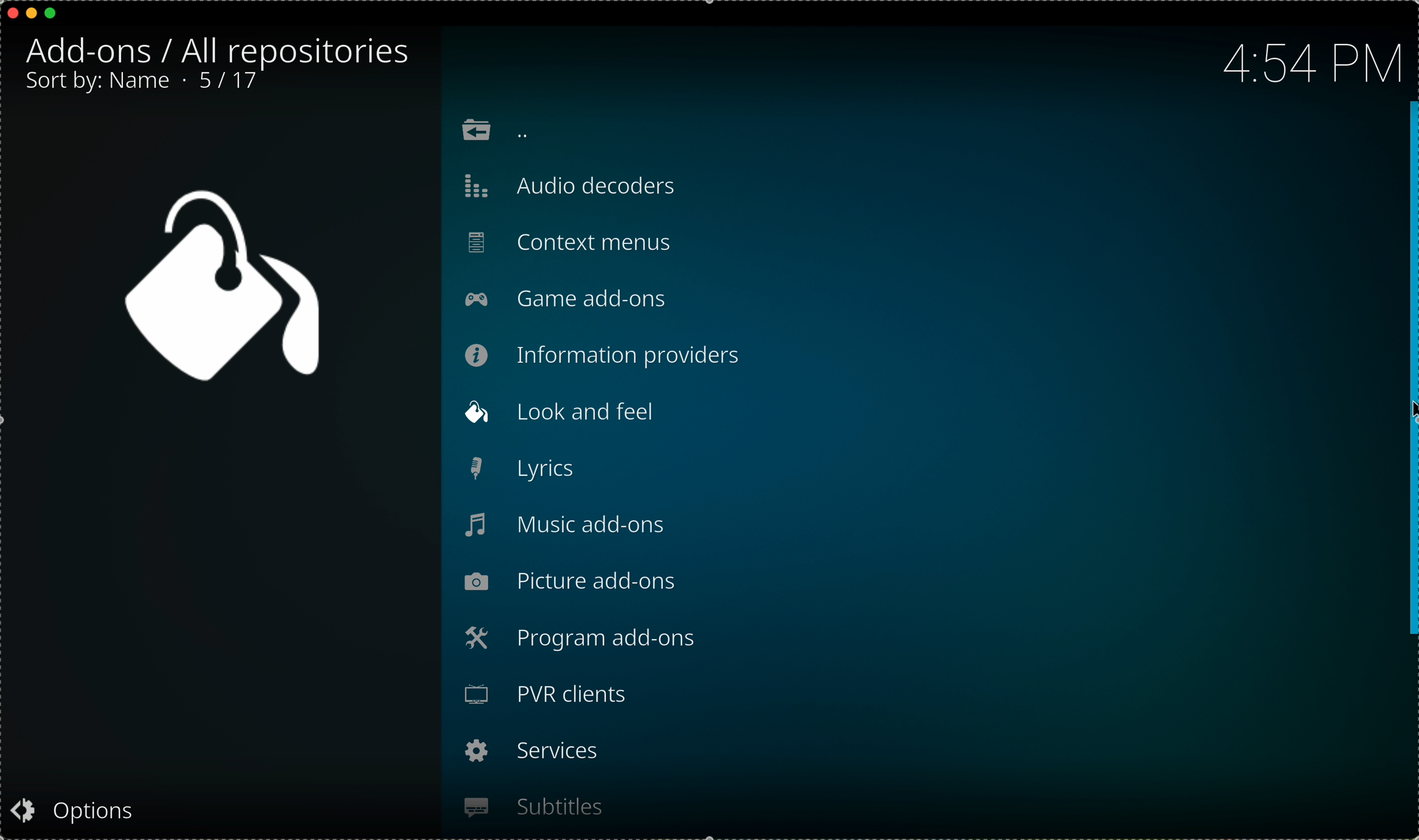  What do you see at coordinates (566, 301) in the screenshot?
I see `game add-ons` at bounding box center [566, 301].